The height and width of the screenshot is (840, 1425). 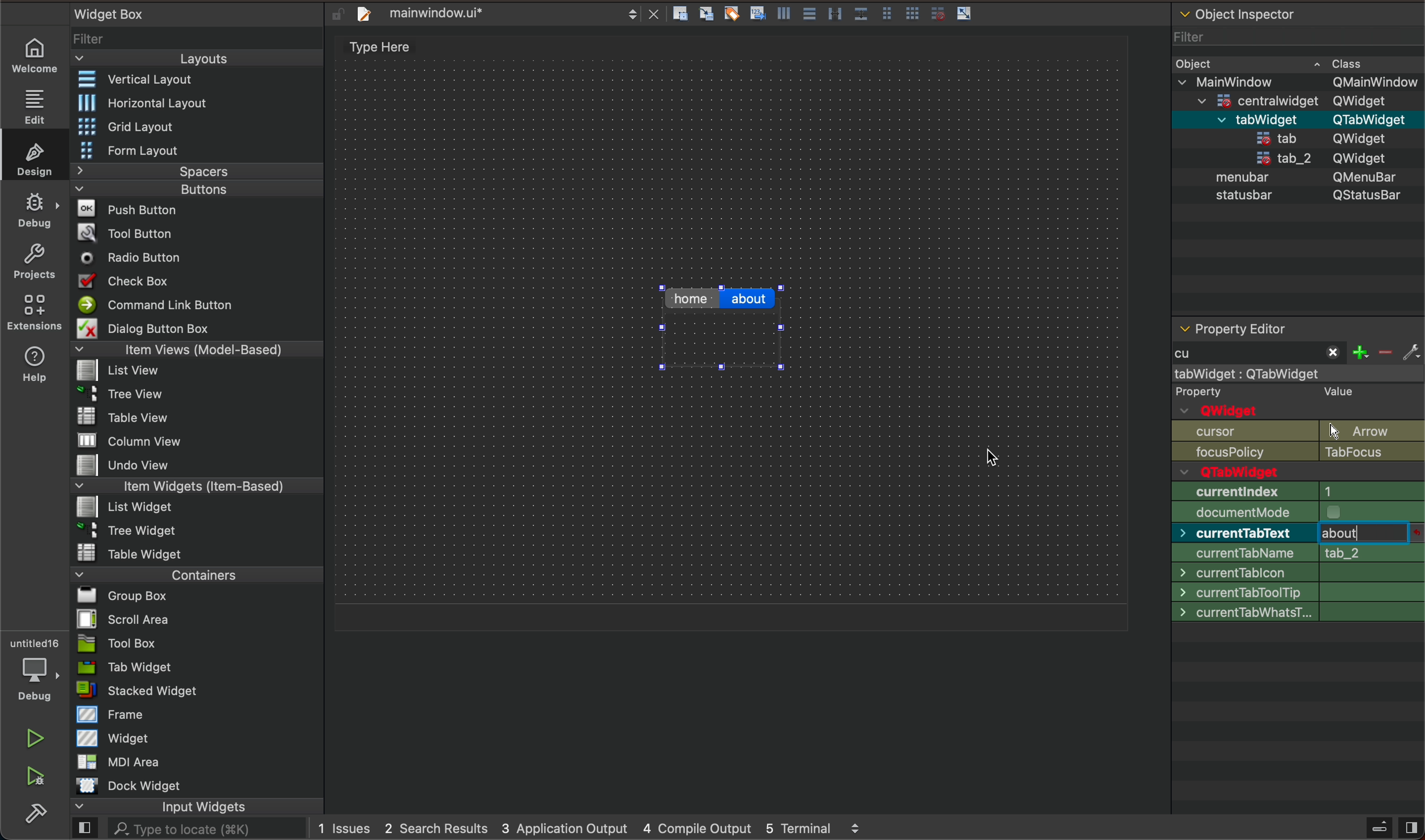 What do you see at coordinates (1295, 470) in the screenshot?
I see `enabled` at bounding box center [1295, 470].